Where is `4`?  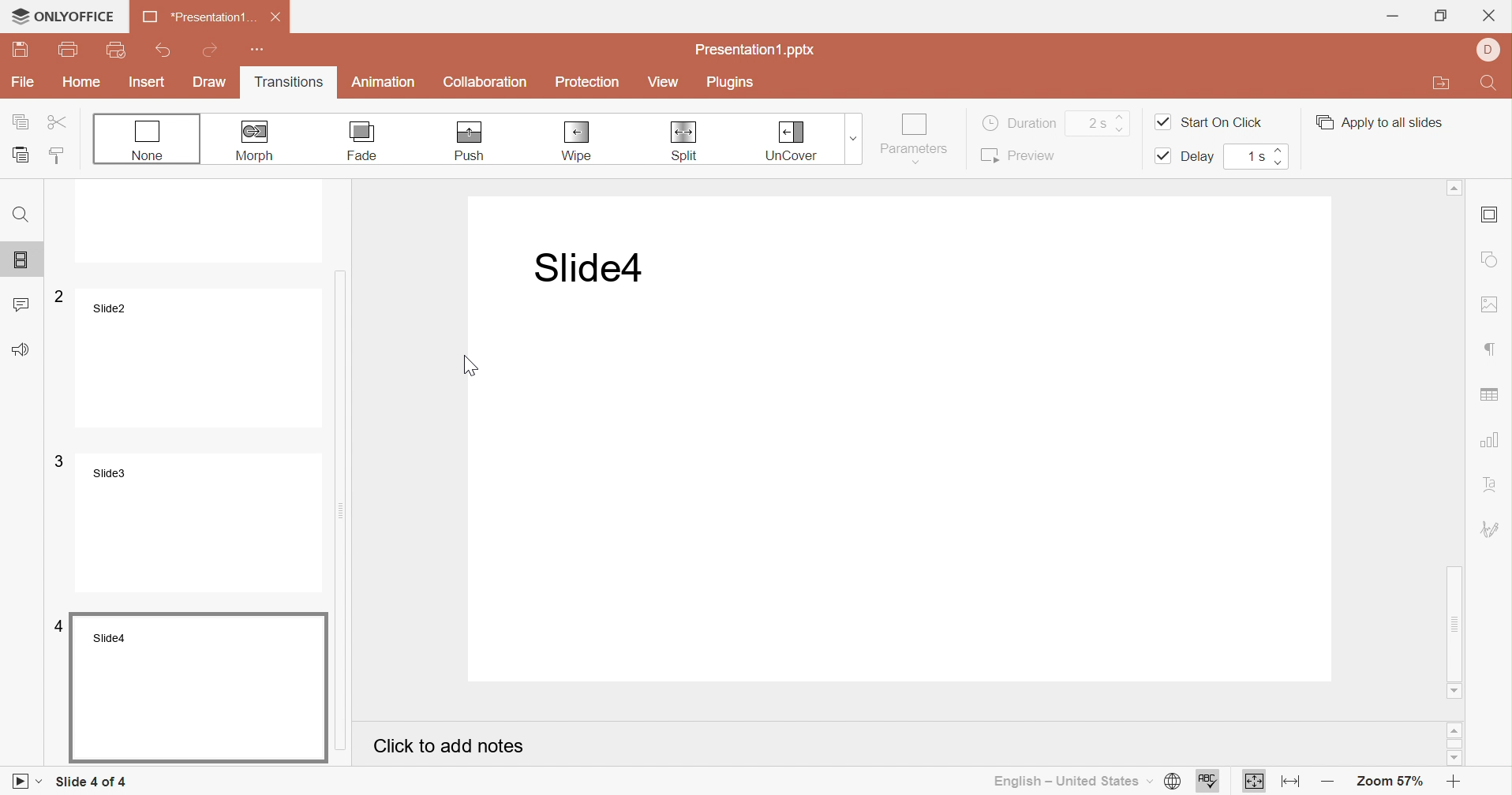
4 is located at coordinates (55, 627).